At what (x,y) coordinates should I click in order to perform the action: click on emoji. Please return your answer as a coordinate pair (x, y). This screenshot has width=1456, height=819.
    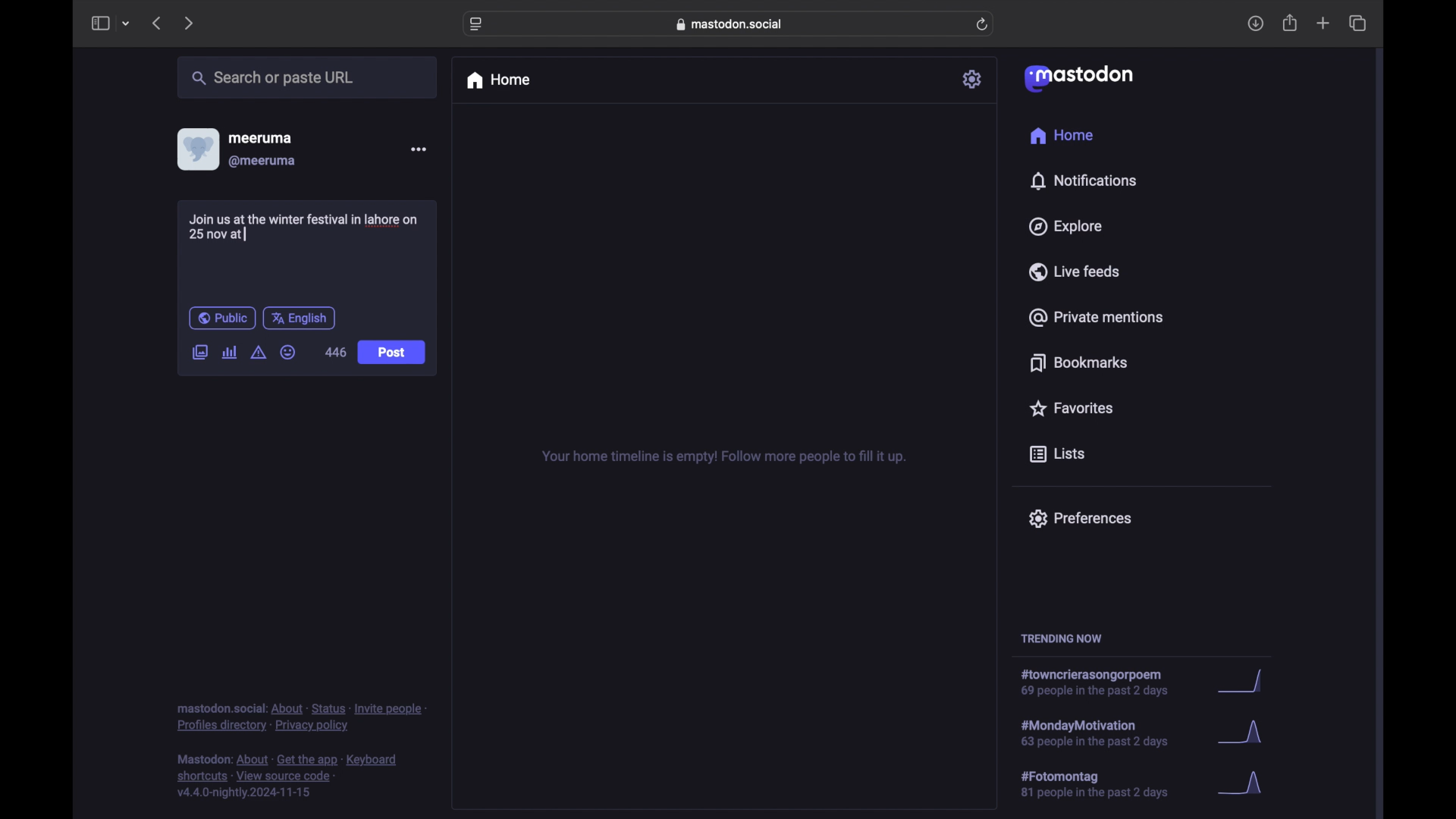
    Looking at the image, I should click on (288, 353).